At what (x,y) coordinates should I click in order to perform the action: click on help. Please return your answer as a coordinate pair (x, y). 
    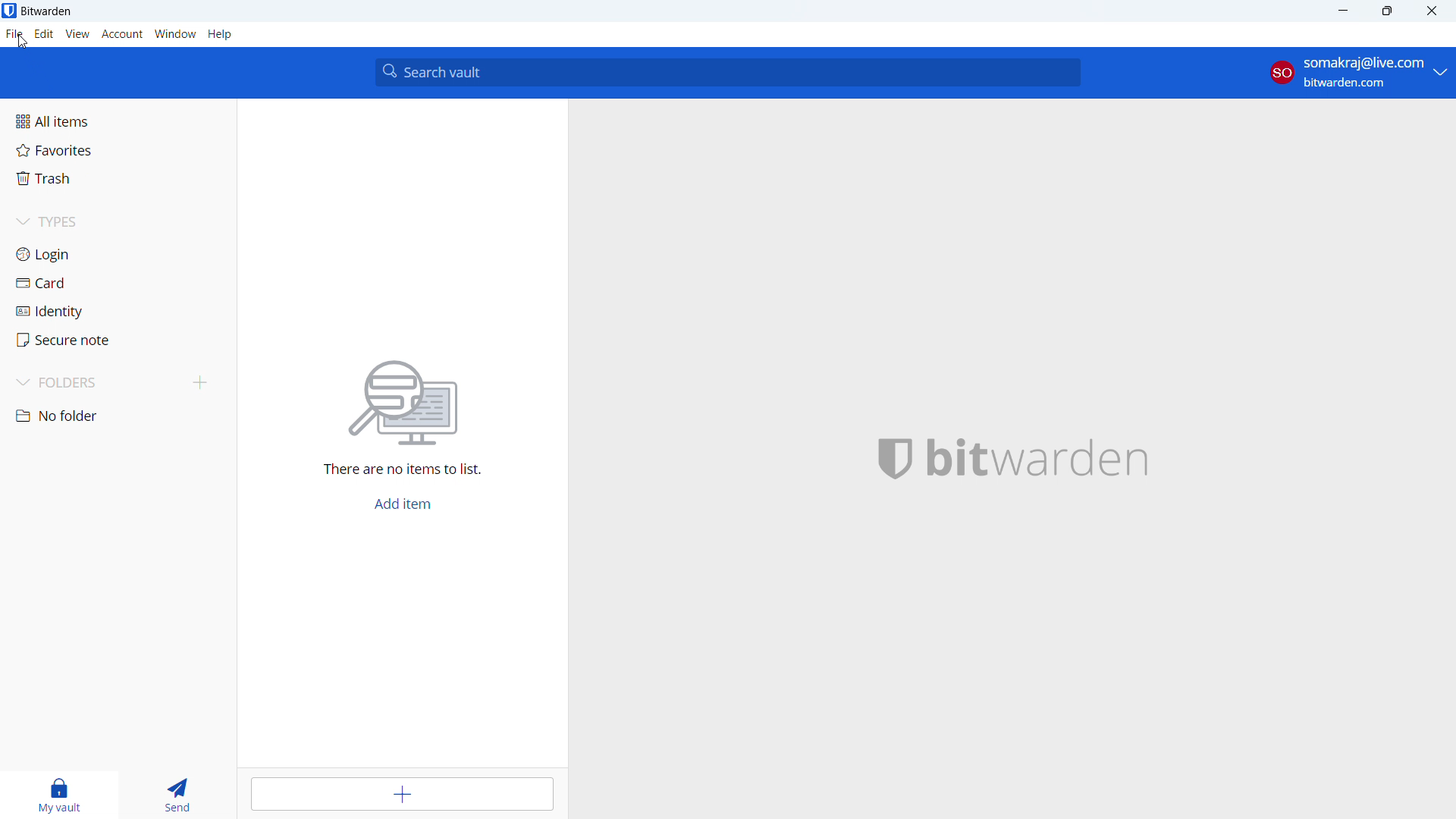
    Looking at the image, I should click on (220, 34).